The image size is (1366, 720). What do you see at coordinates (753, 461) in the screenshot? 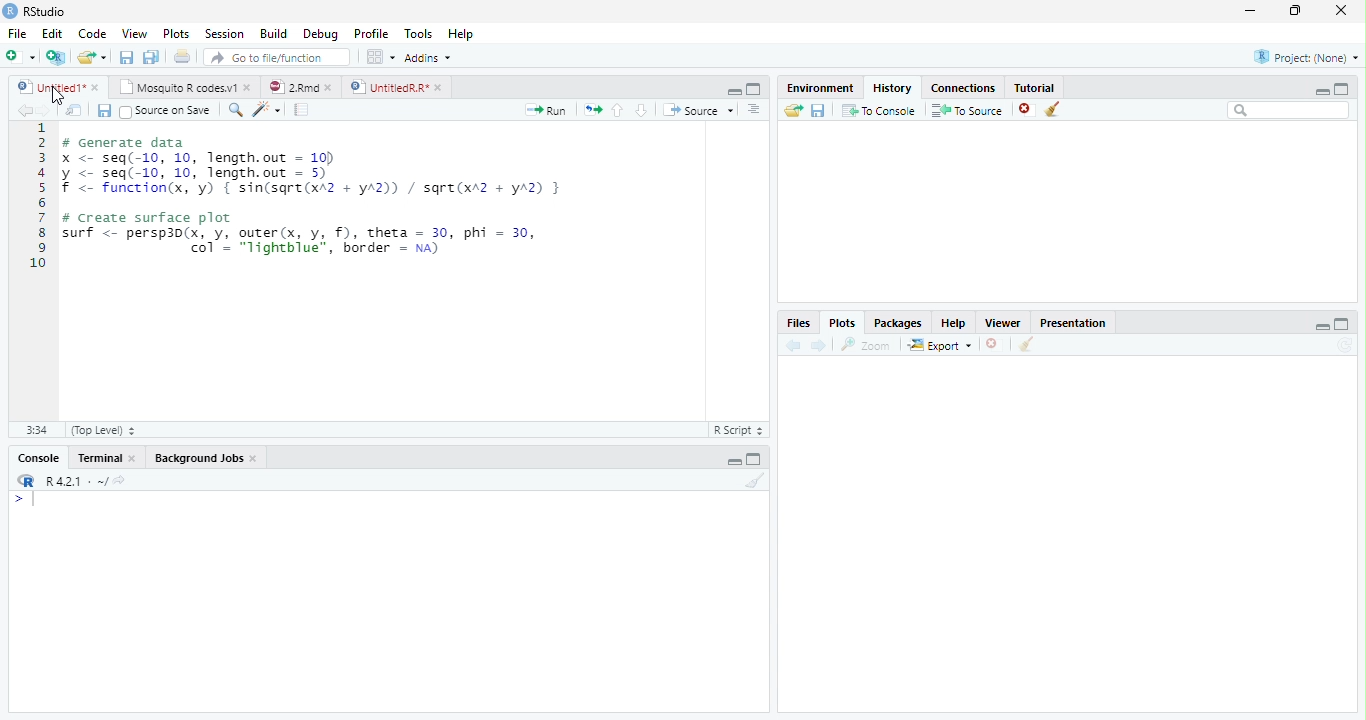
I see `Maximize` at bounding box center [753, 461].